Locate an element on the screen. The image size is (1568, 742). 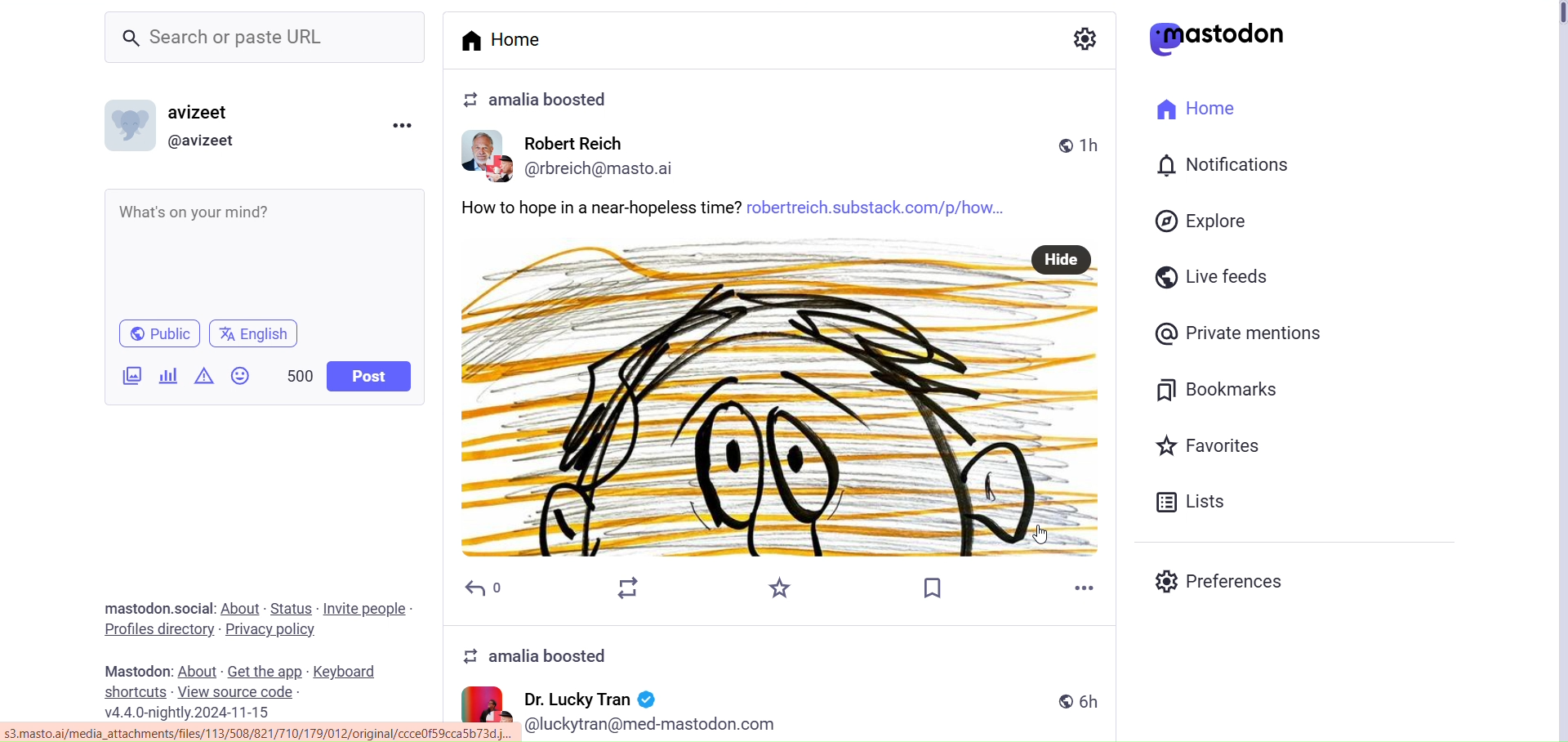
Add Poll is located at coordinates (167, 376).